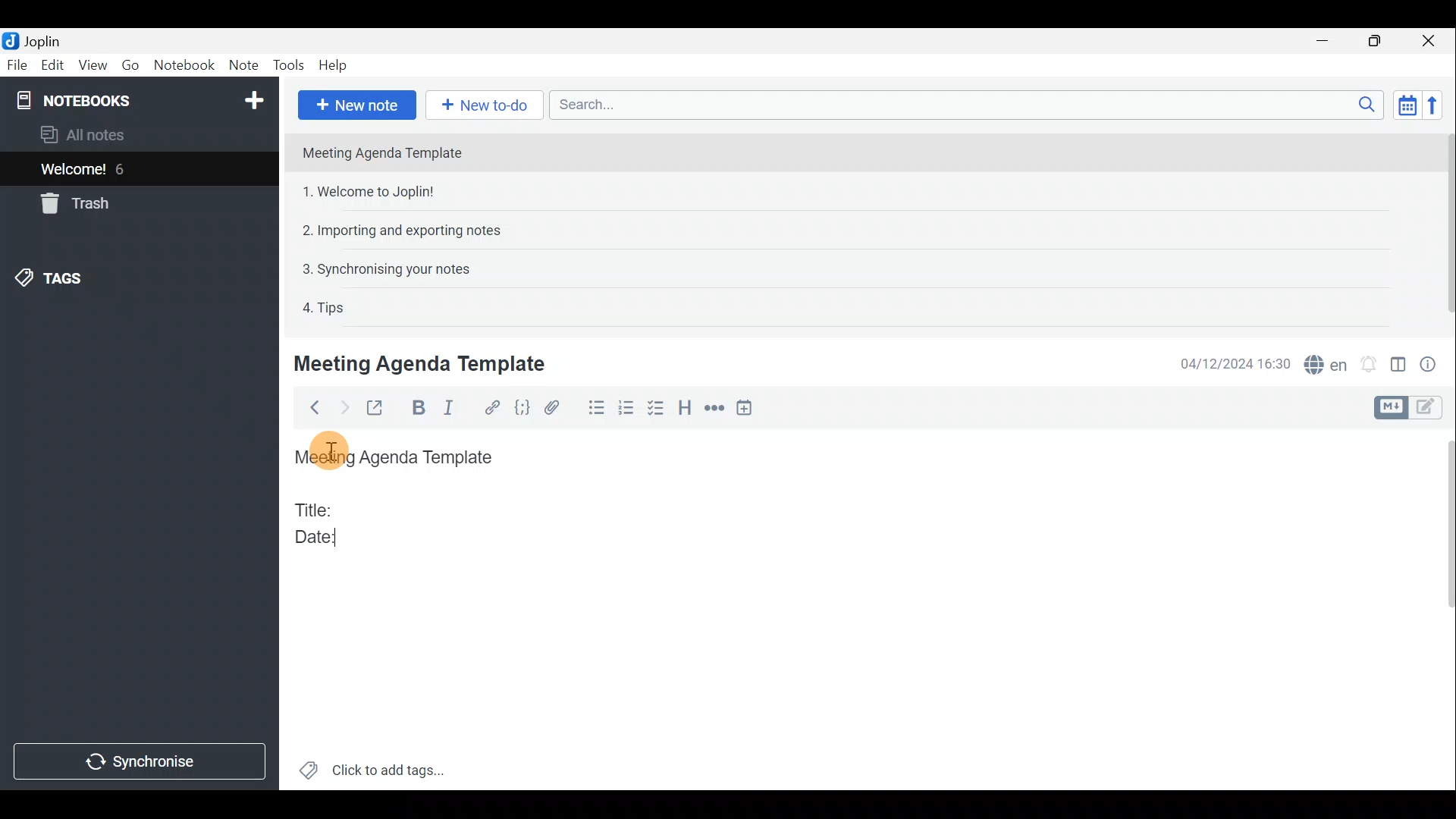  What do you see at coordinates (625, 410) in the screenshot?
I see `Numbered list` at bounding box center [625, 410].